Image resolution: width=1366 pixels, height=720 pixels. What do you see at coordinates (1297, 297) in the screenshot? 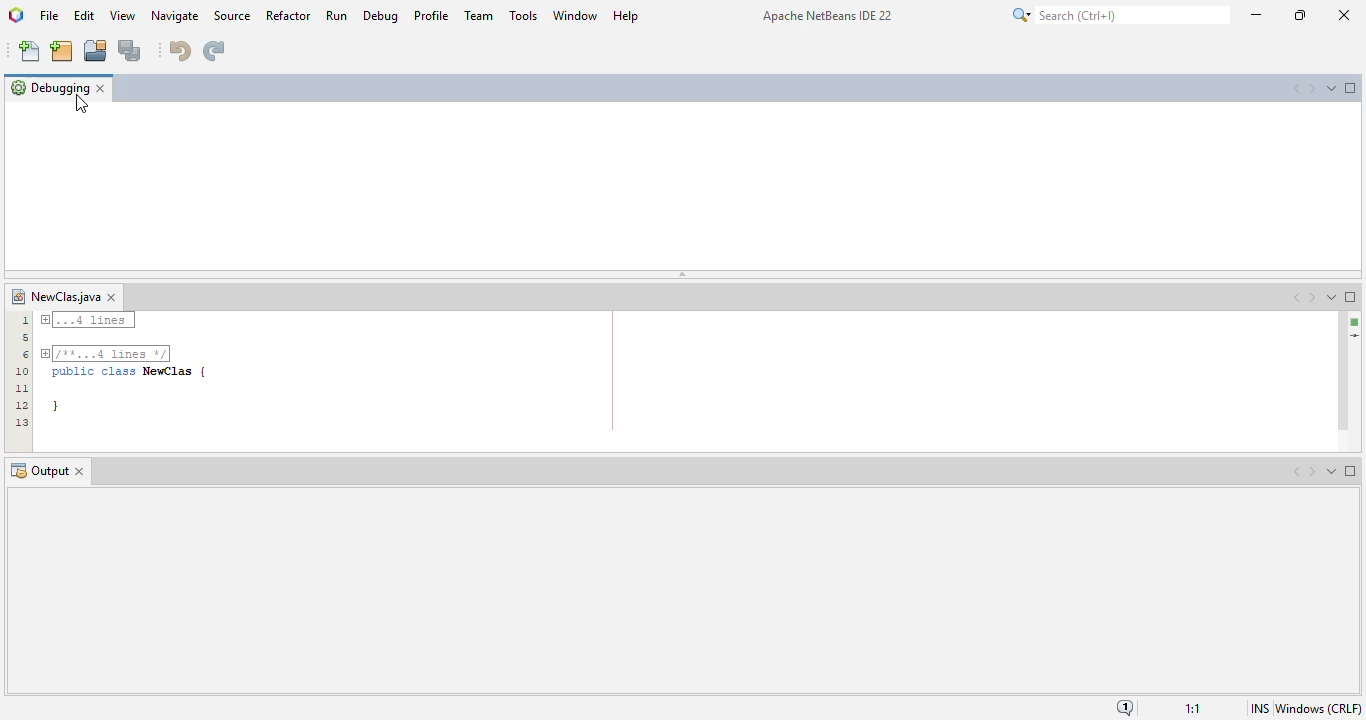
I see `scroll documents left` at bounding box center [1297, 297].